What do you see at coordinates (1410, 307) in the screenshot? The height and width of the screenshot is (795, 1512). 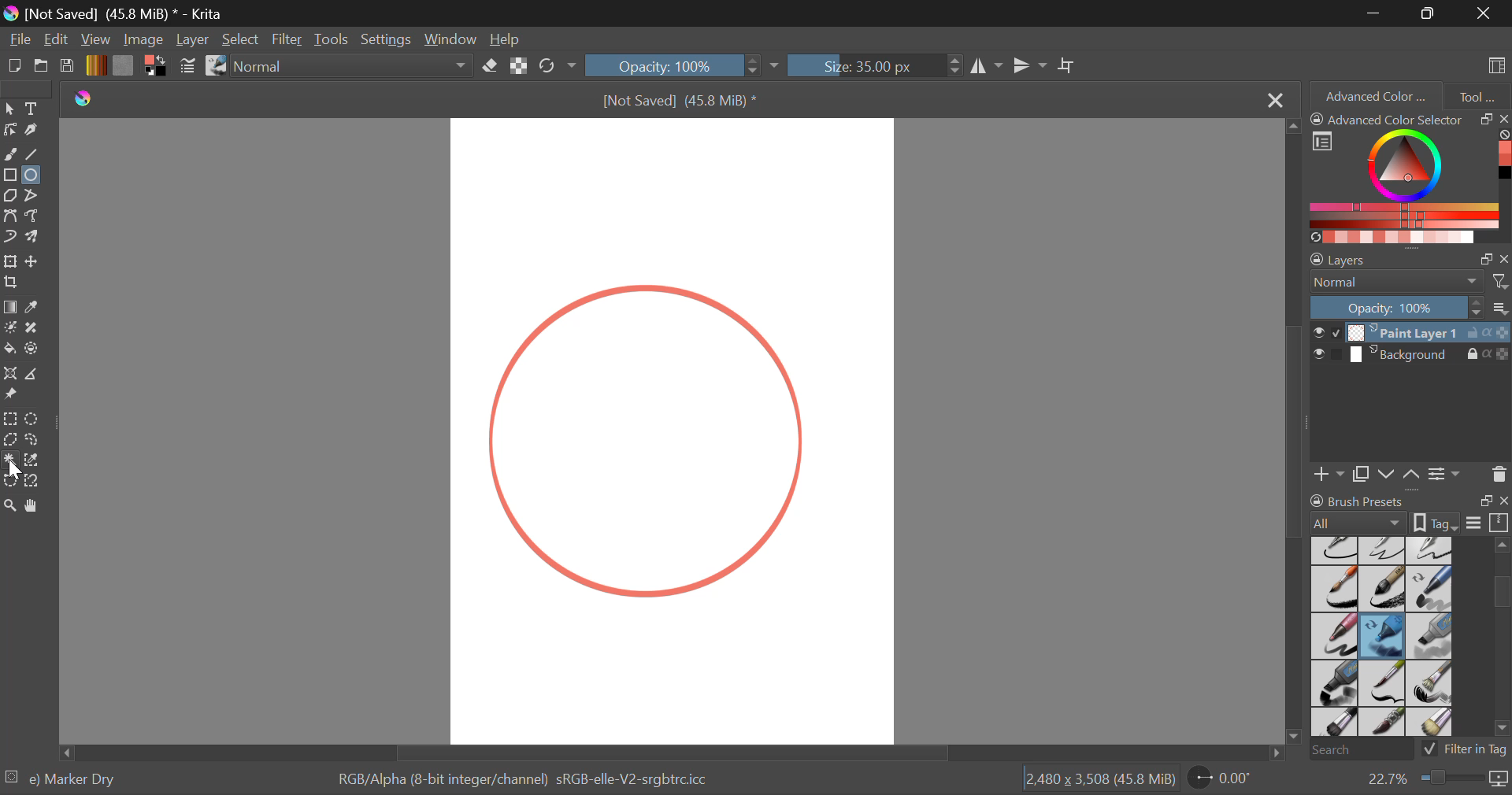 I see `Layer Opacity` at bounding box center [1410, 307].